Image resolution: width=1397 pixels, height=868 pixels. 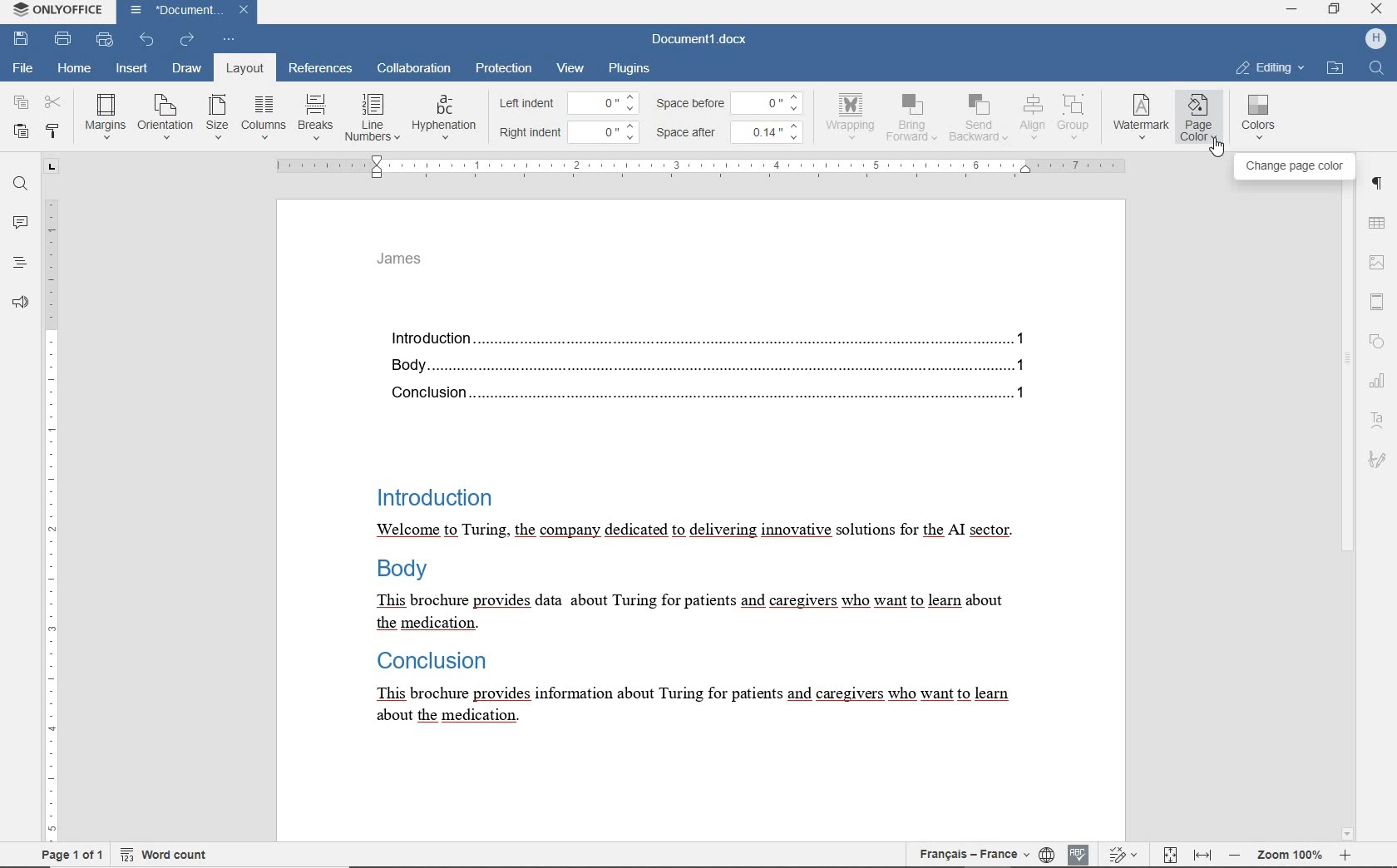 I want to click on fit to page, so click(x=1170, y=852).